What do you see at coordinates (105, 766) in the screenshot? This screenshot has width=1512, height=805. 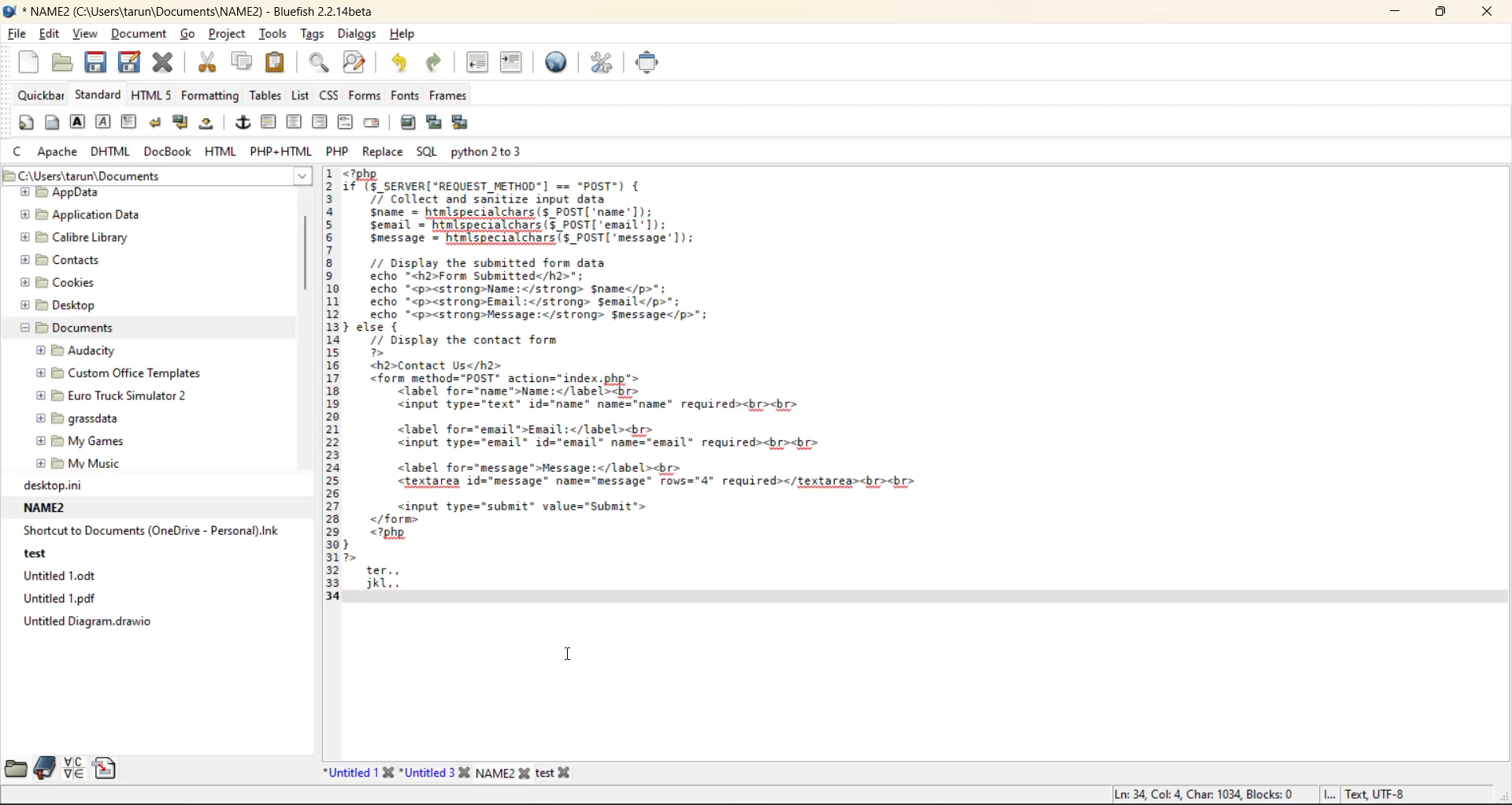 I see `snippets` at bounding box center [105, 766].